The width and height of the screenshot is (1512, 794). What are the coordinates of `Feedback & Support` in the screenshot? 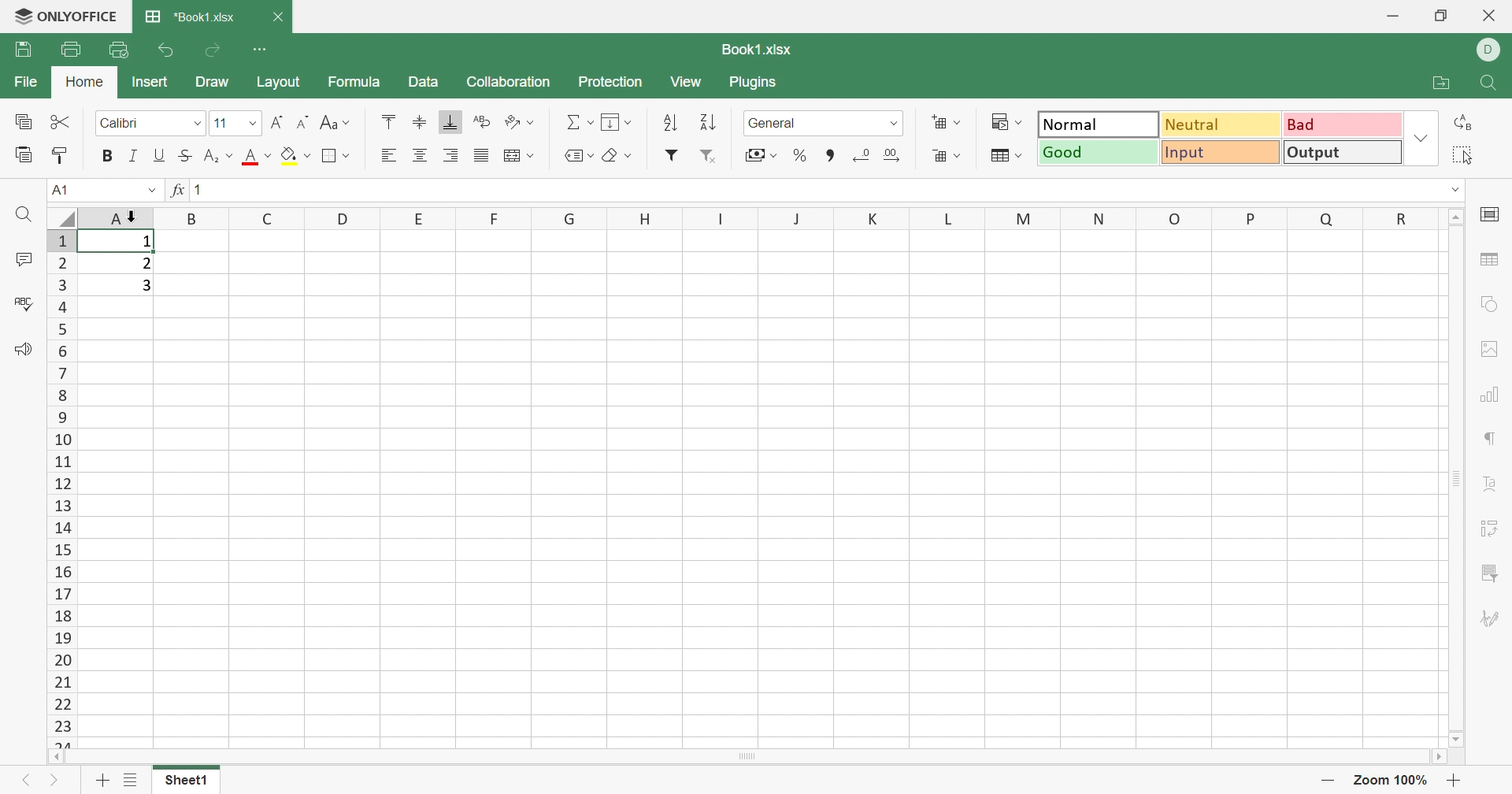 It's located at (23, 349).